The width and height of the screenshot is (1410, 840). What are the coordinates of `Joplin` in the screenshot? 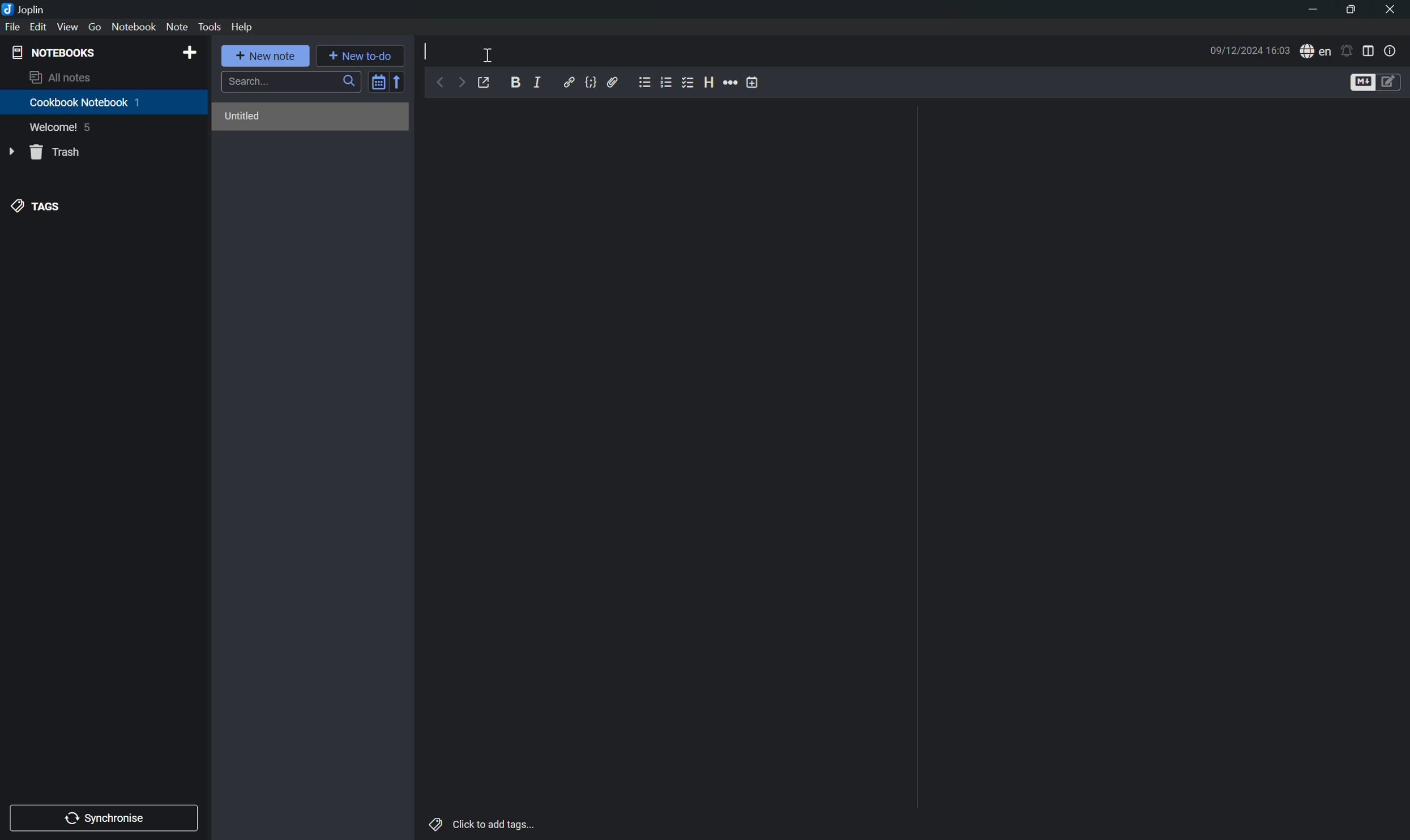 It's located at (25, 8).